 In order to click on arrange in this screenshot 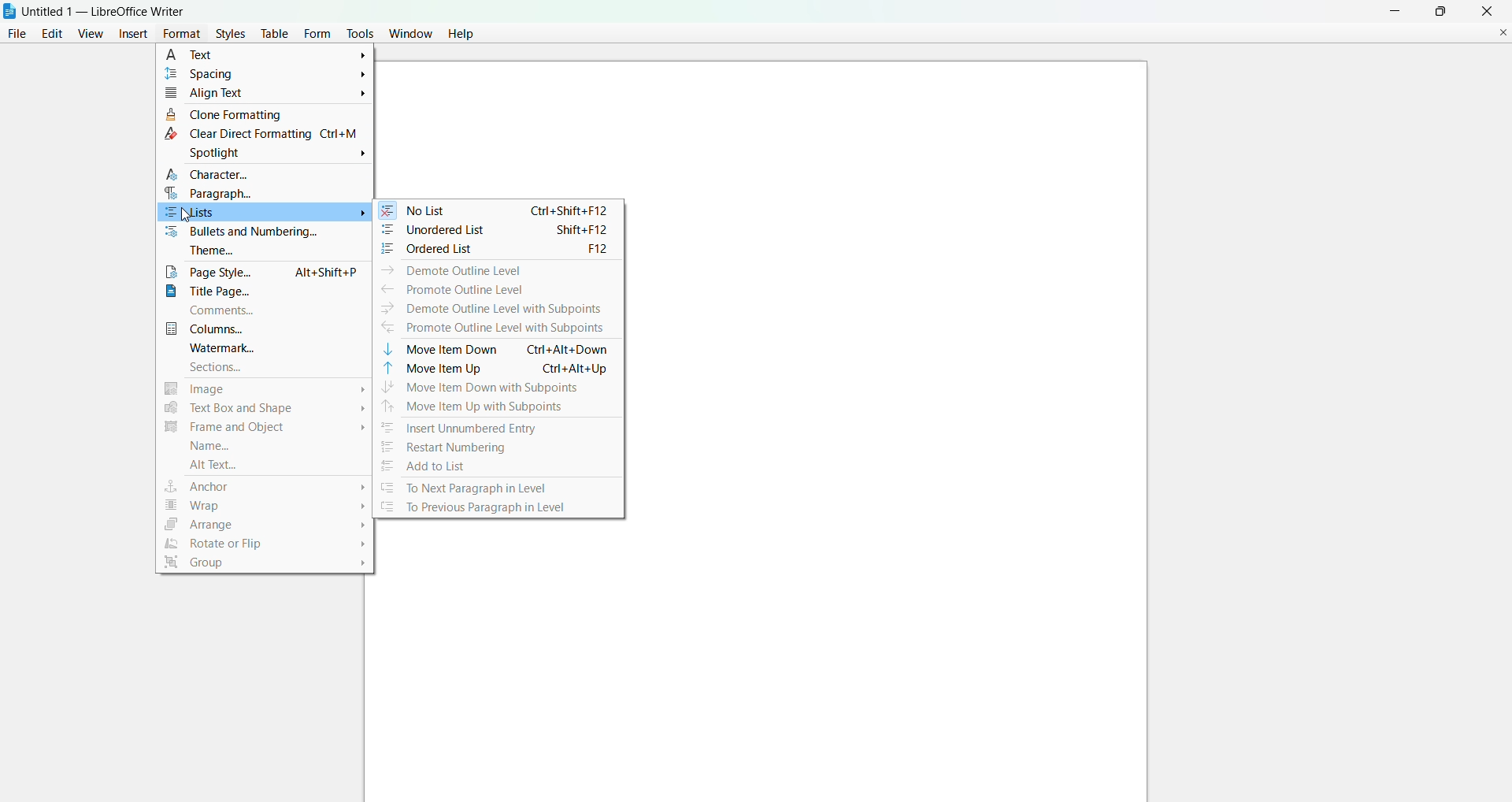, I will do `click(262, 525)`.